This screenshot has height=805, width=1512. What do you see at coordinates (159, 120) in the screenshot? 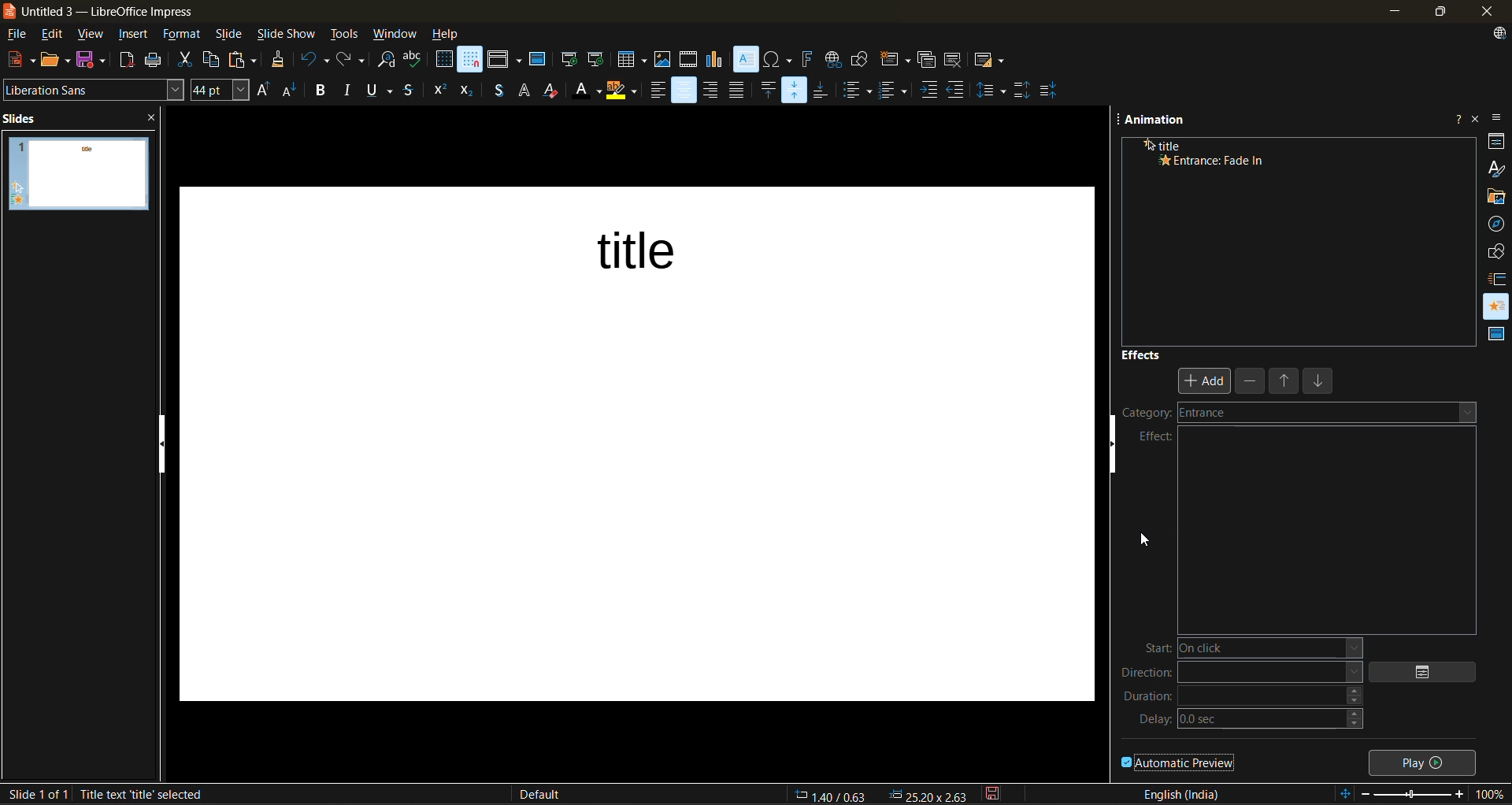
I see `close pane` at bounding box center [159, 120].